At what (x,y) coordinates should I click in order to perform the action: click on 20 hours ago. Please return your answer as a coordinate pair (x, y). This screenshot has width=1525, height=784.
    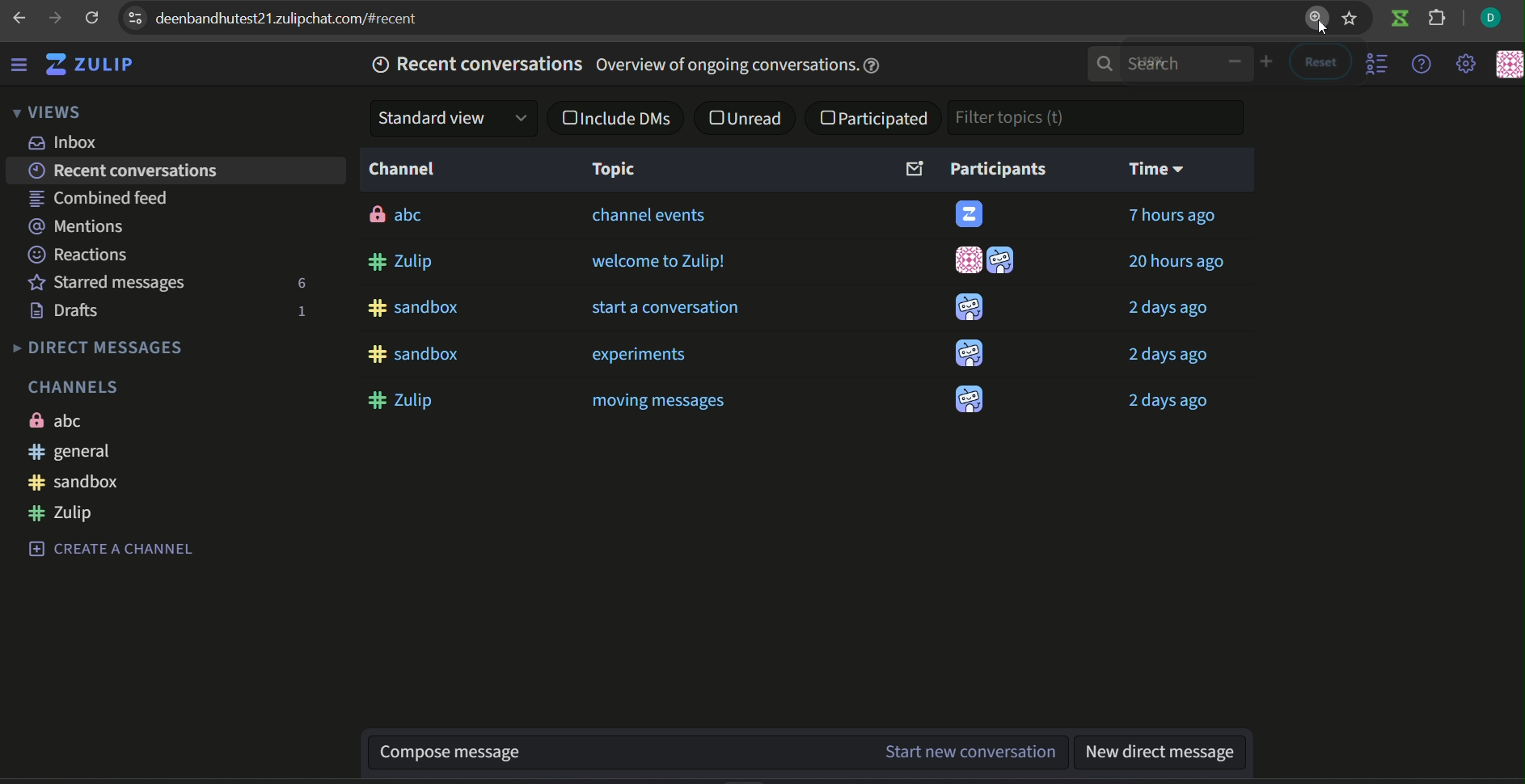
    Looking at the image, I should click on (1177, 261).